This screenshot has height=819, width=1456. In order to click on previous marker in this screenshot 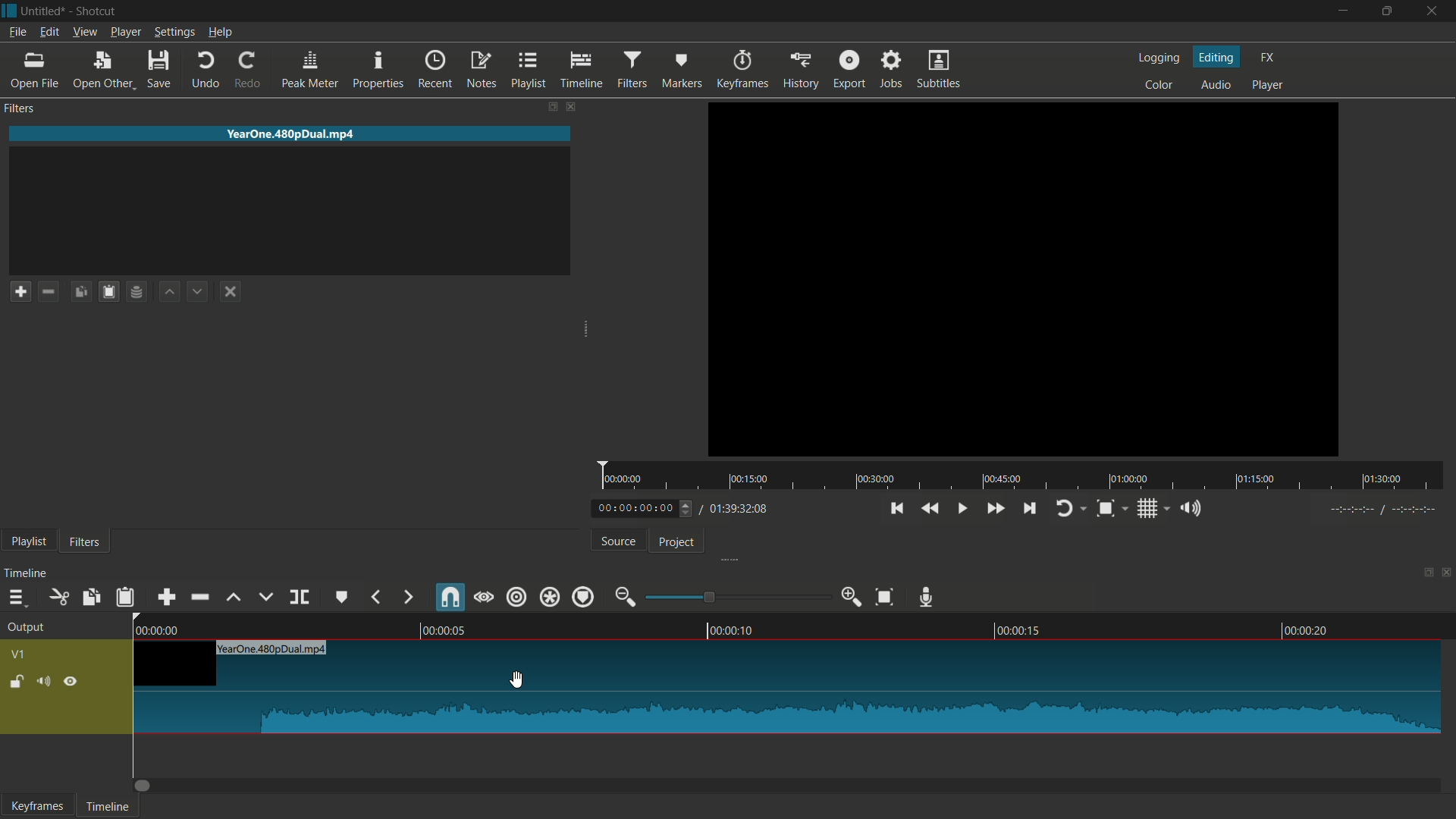, I will do `click(376, 597)`.